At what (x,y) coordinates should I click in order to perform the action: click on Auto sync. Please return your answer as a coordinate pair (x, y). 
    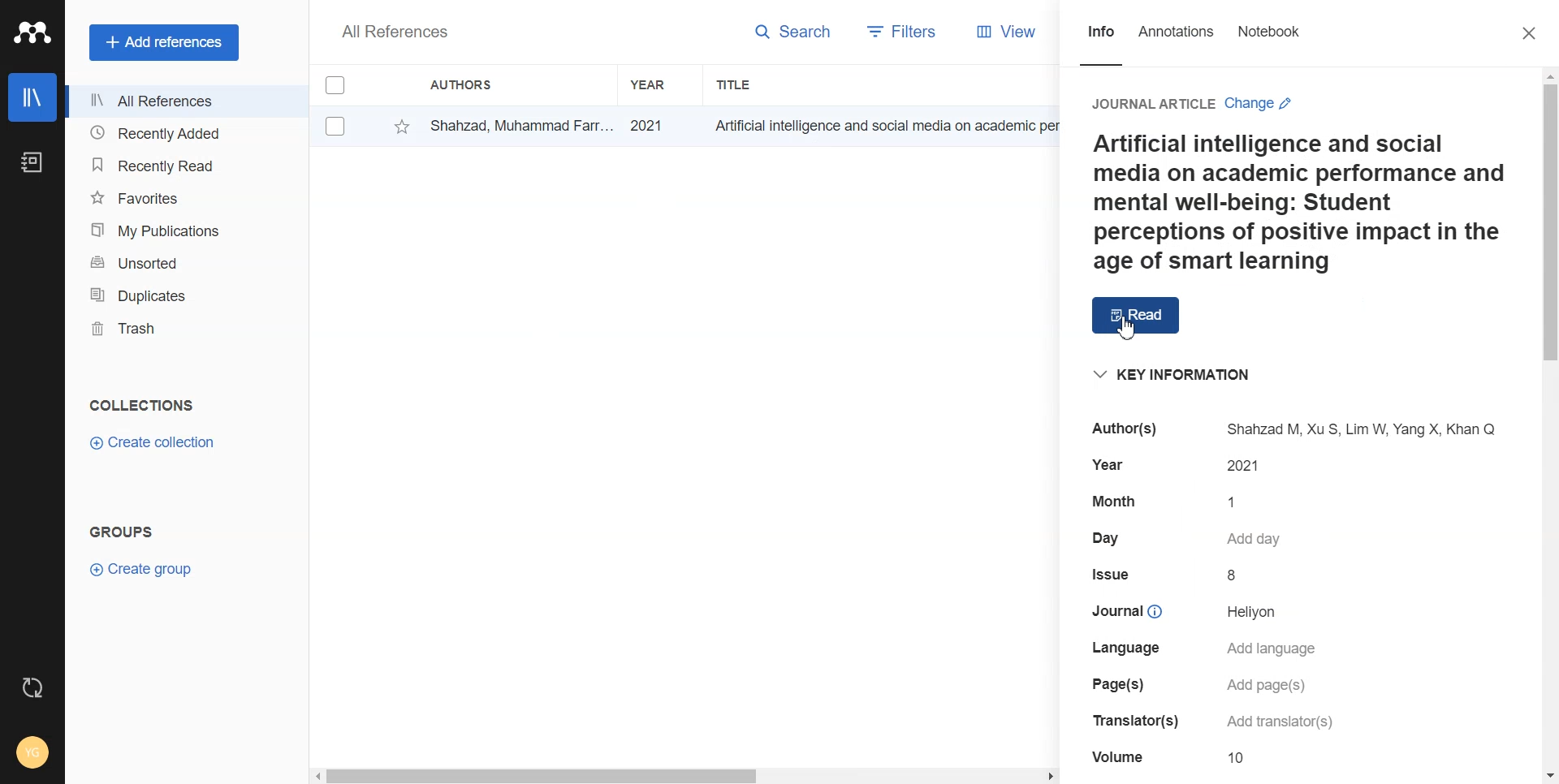
    Looking at the image, I should click on (35, 688).